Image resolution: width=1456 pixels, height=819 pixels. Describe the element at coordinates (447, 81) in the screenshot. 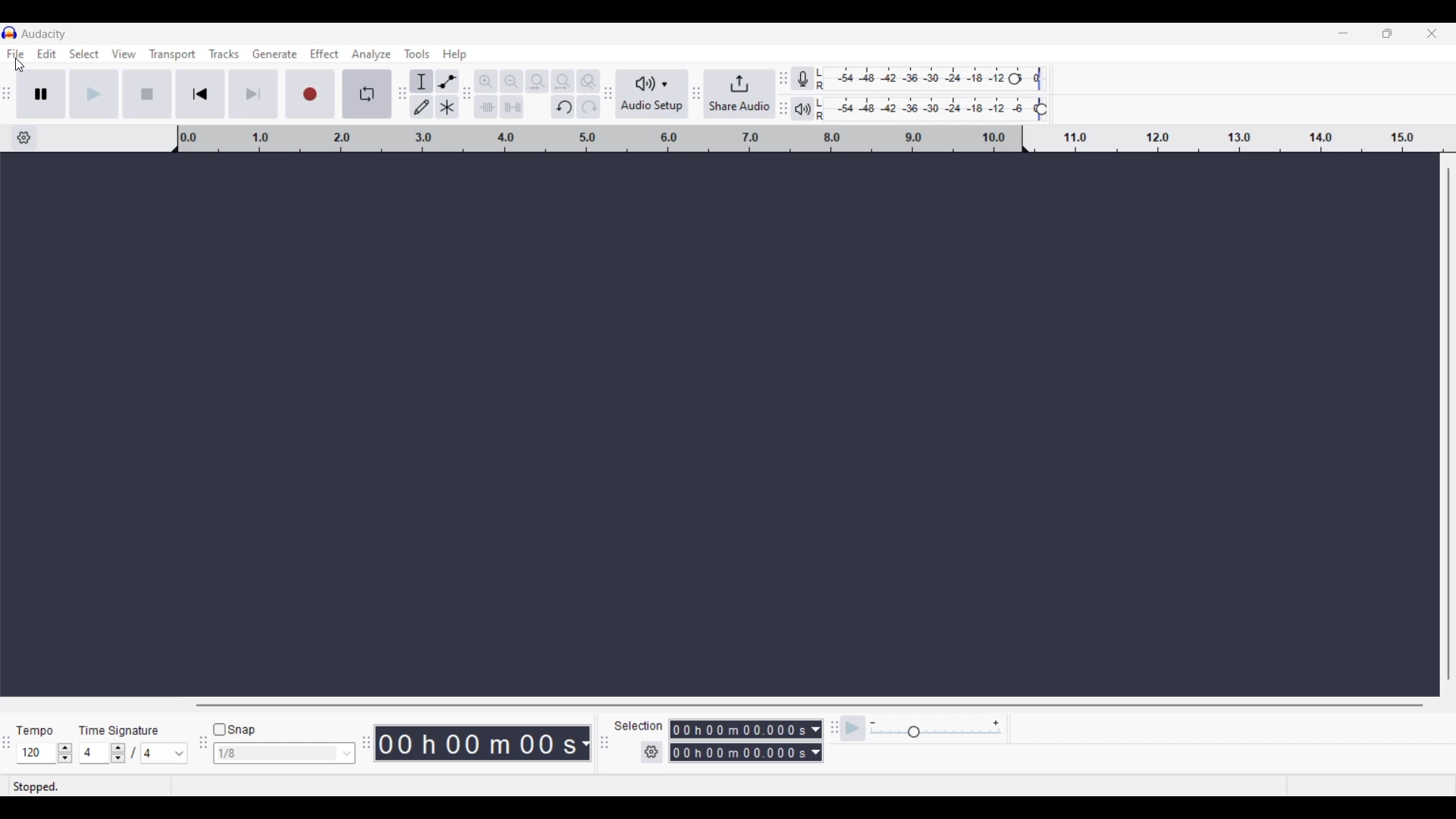

I see `Envelop tool` at that location.